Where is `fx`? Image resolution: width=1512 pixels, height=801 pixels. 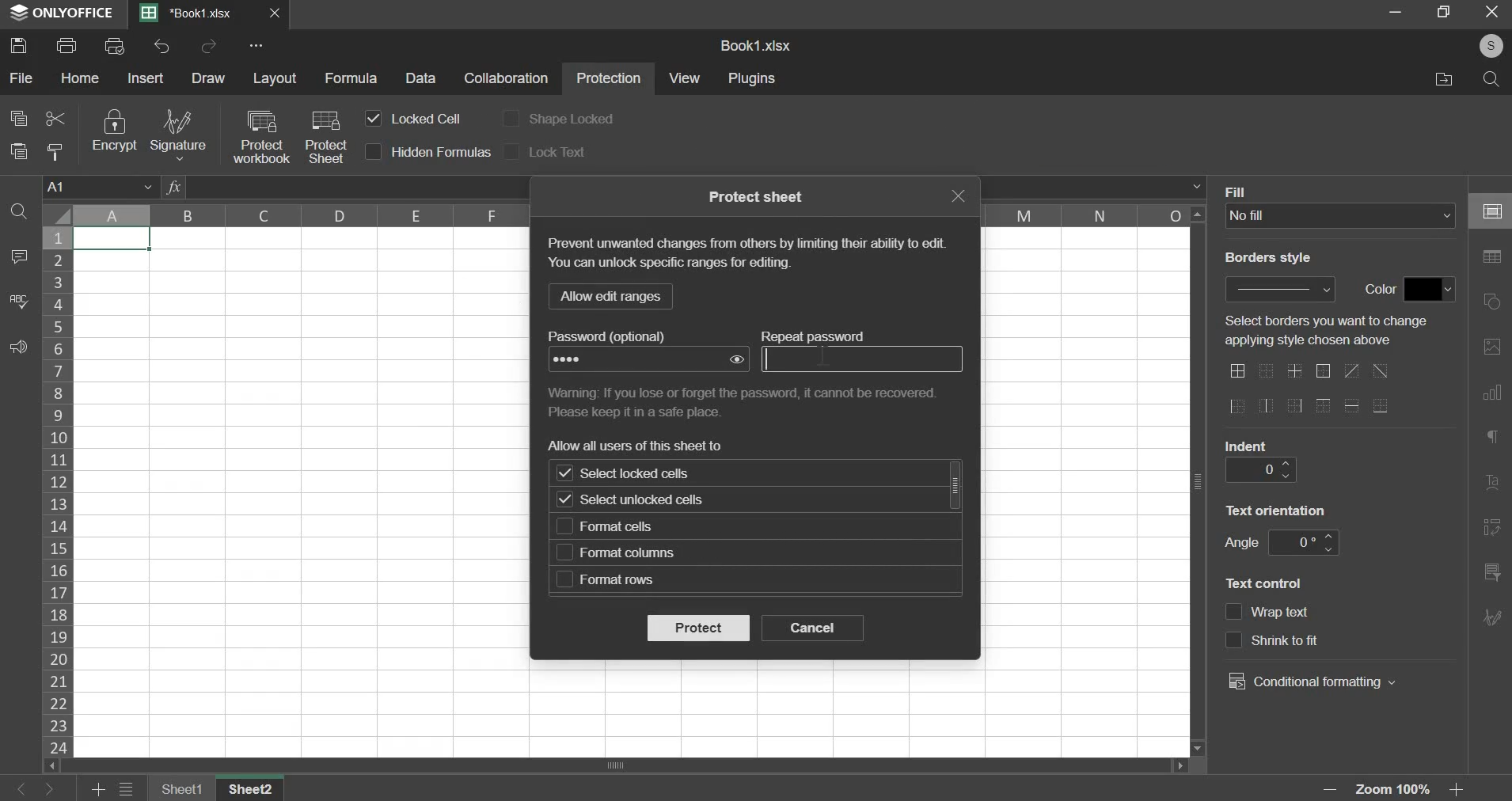 fx is located at coordinates (173, 187).